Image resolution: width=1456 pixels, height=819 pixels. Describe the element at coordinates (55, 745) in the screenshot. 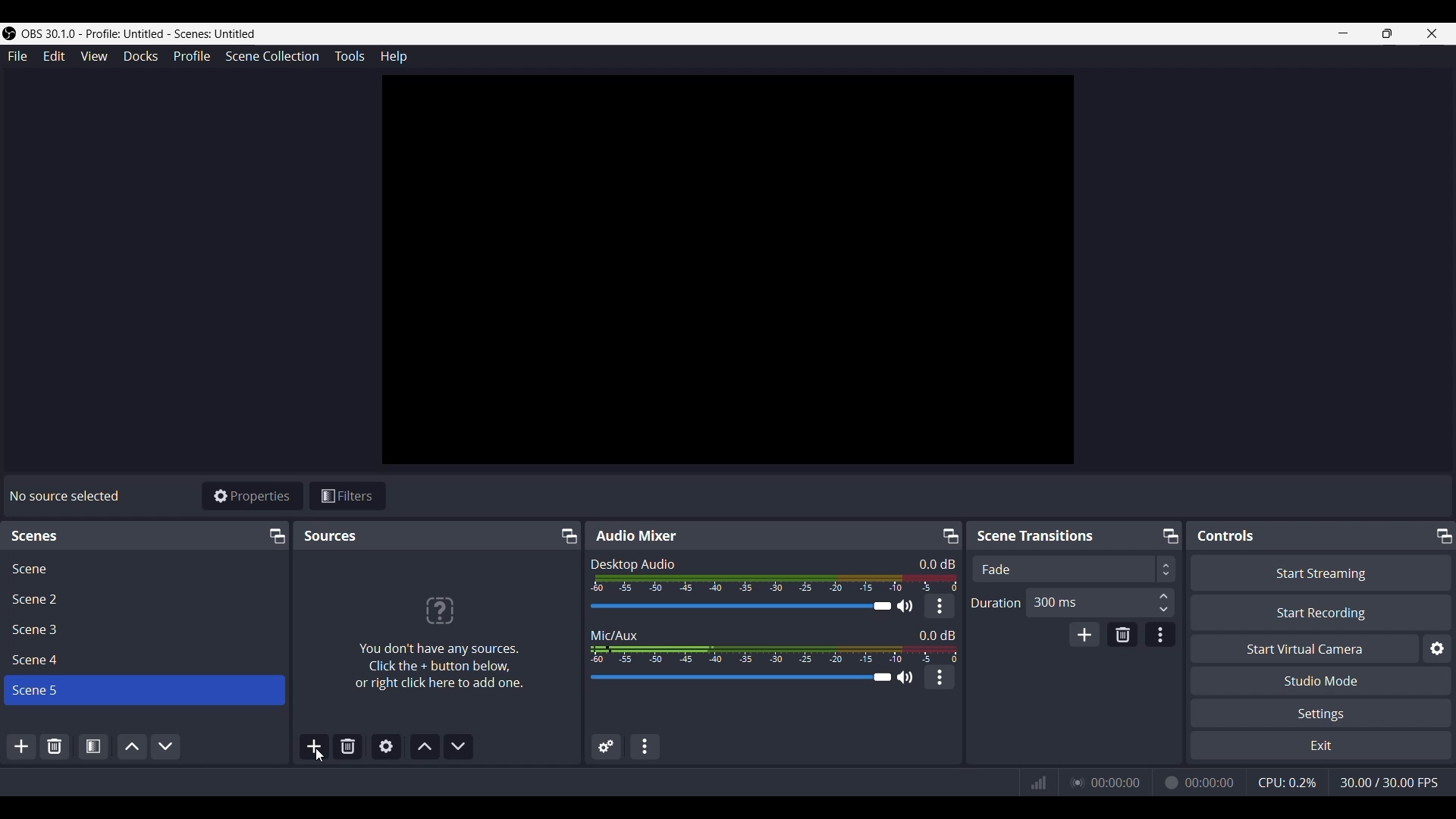

I see `Remove Selected Scene` at that location.